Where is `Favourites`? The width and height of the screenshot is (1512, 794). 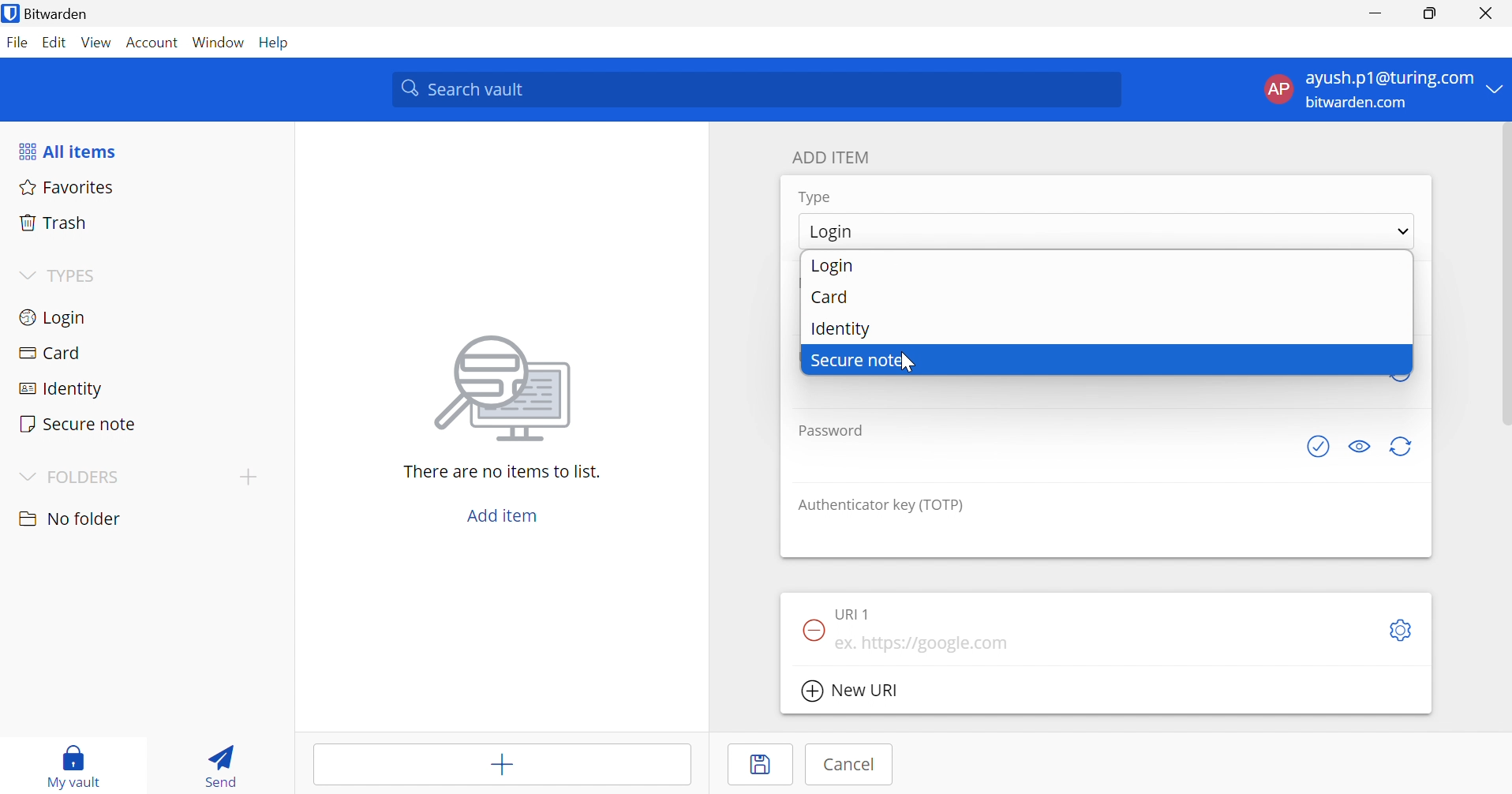
Favourites is located at coordinates (69, 189).